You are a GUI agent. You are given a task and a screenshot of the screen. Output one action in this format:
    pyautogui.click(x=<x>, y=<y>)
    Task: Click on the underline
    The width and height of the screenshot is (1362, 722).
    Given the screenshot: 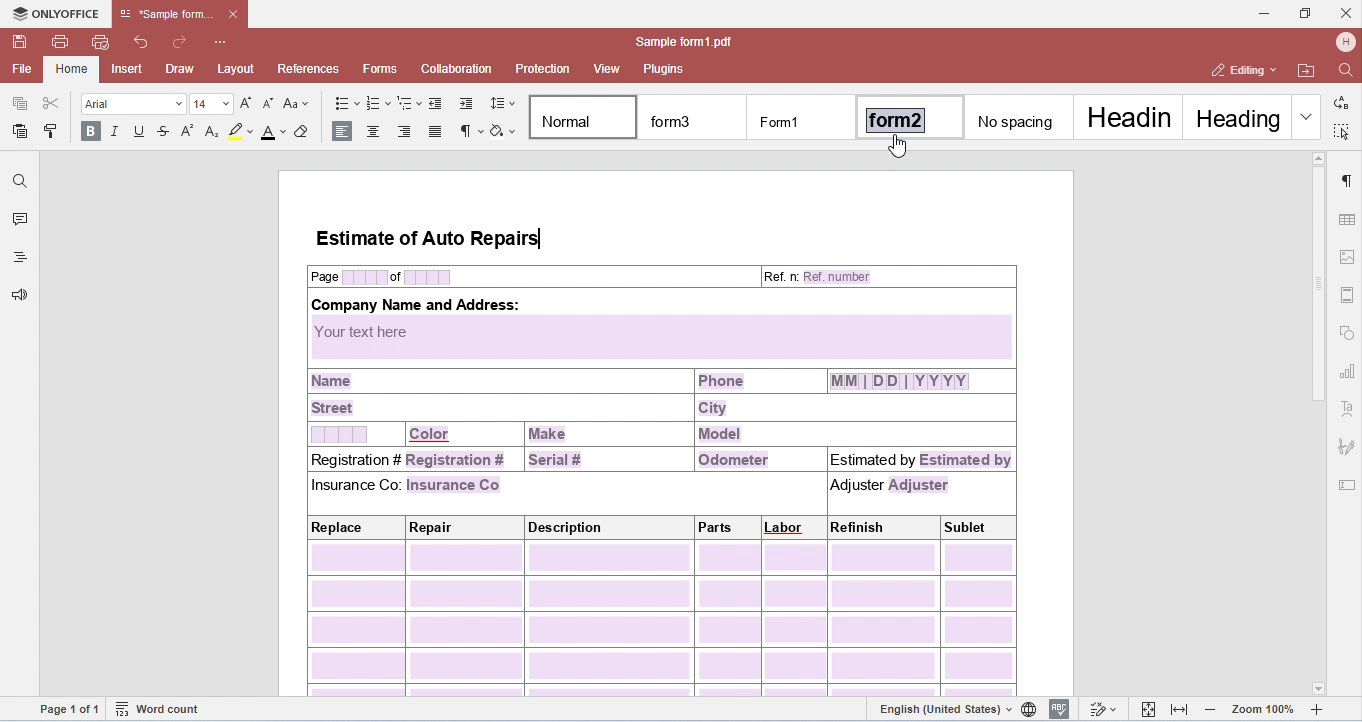 What is the action you would take?
    pyautogui.click(x=140, y=133)
    